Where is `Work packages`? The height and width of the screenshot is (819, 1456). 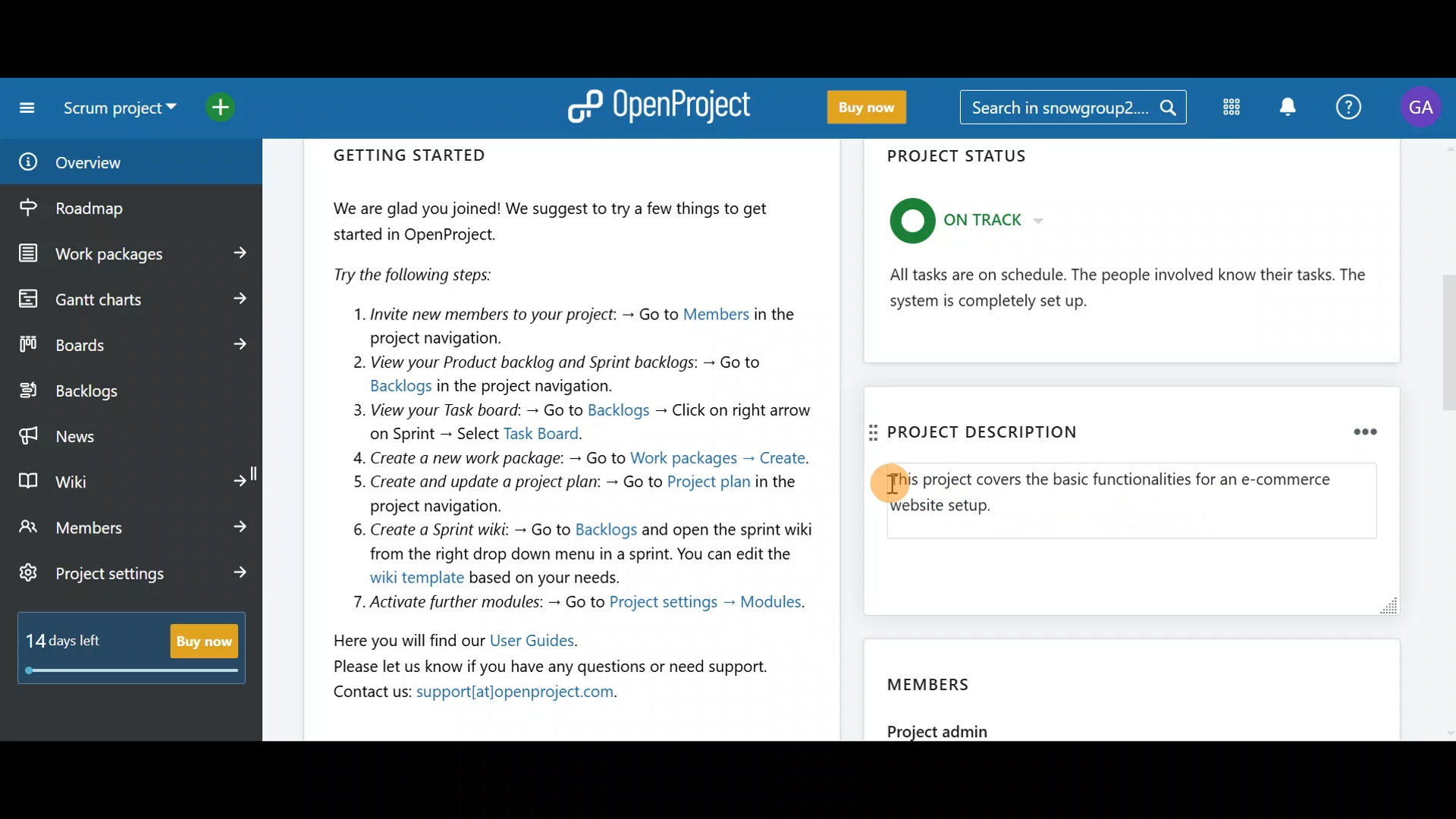 Work packages is located at coordinates (133, 254).